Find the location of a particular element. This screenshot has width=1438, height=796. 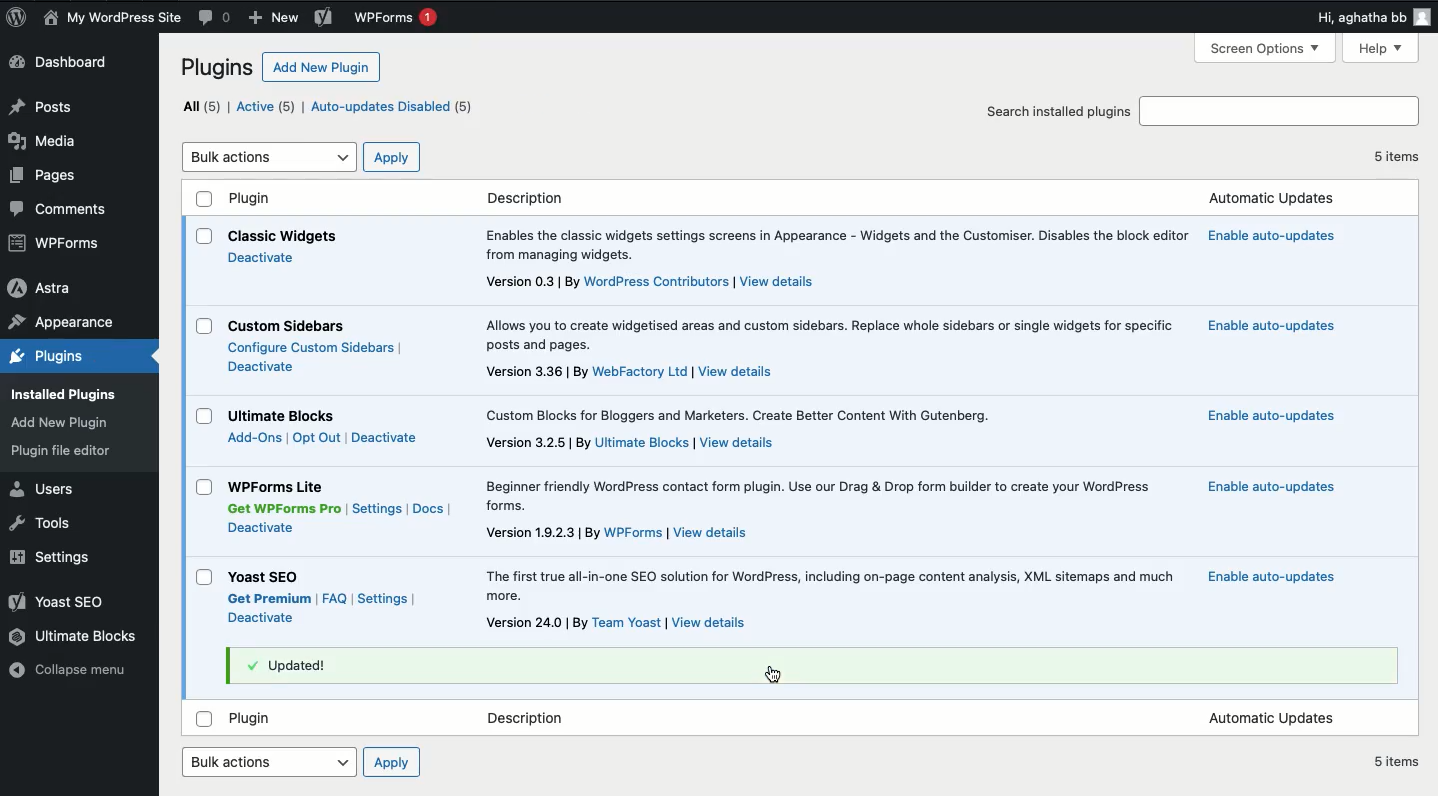

FAQ is located at coordinates (334, 598).